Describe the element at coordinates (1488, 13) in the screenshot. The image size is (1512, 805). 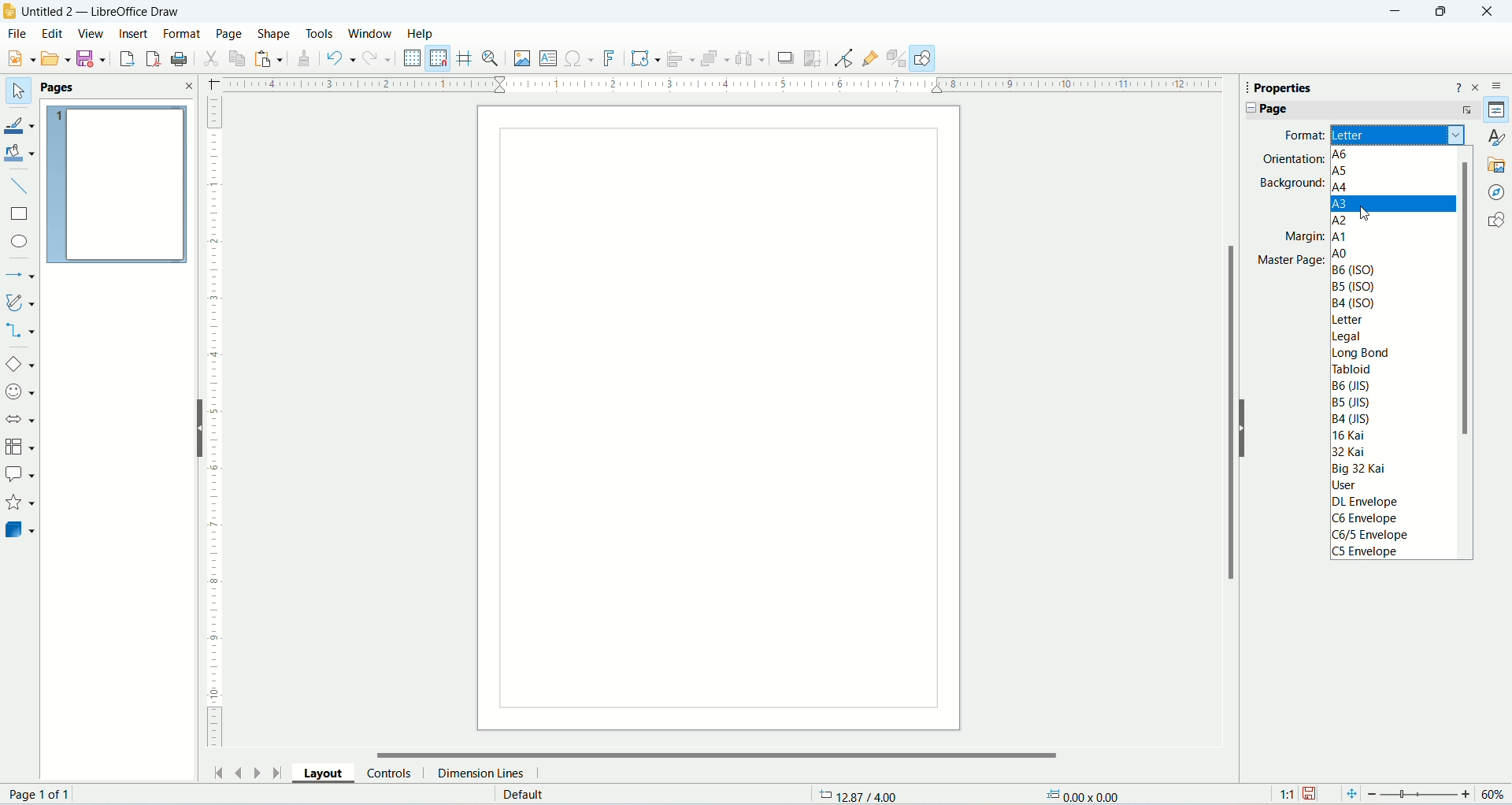
I see `close` at that location.